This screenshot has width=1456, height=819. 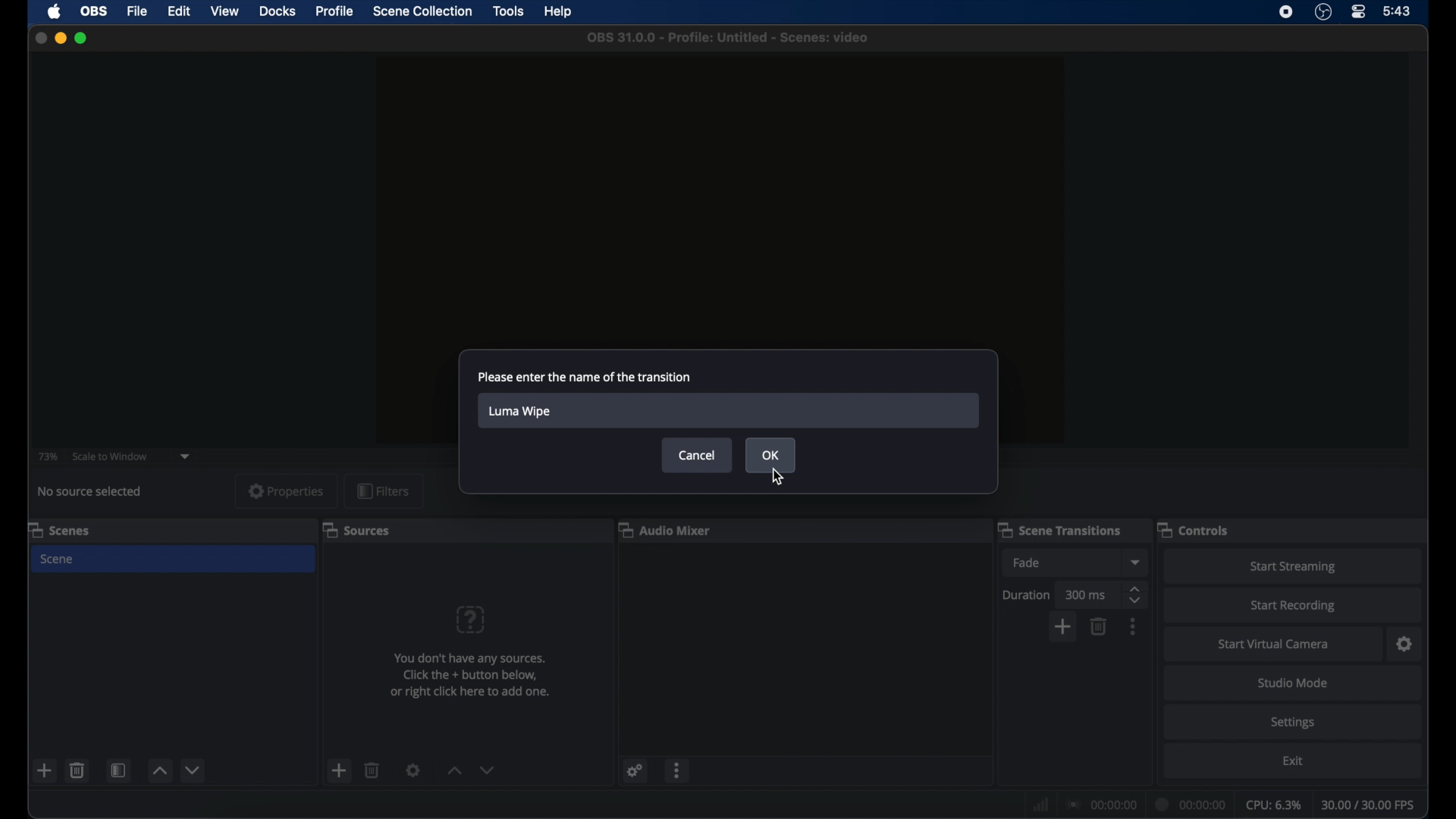 I want to click on filters, so click(x=384, y=491).